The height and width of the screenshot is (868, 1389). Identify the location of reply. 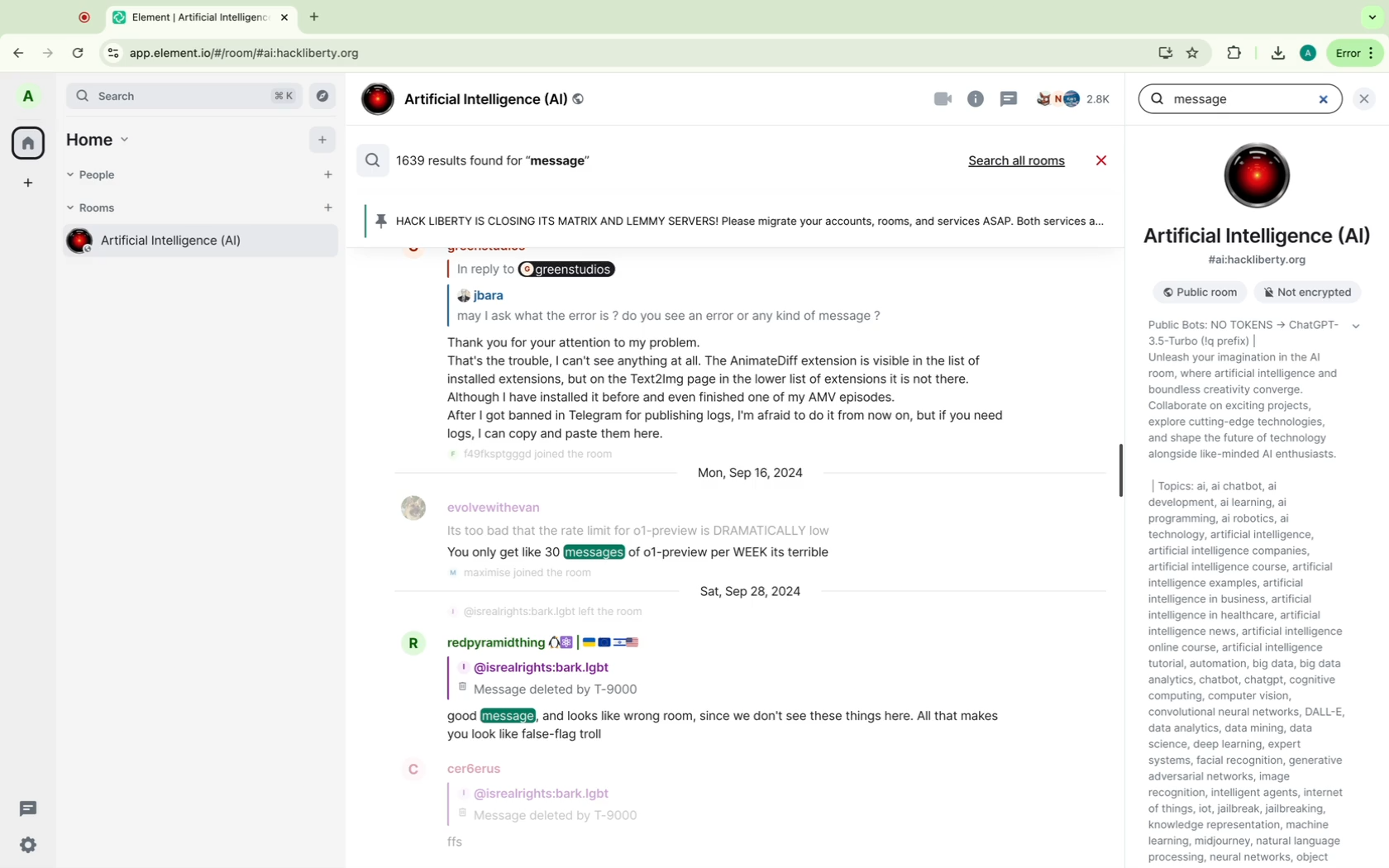
(644, 555).